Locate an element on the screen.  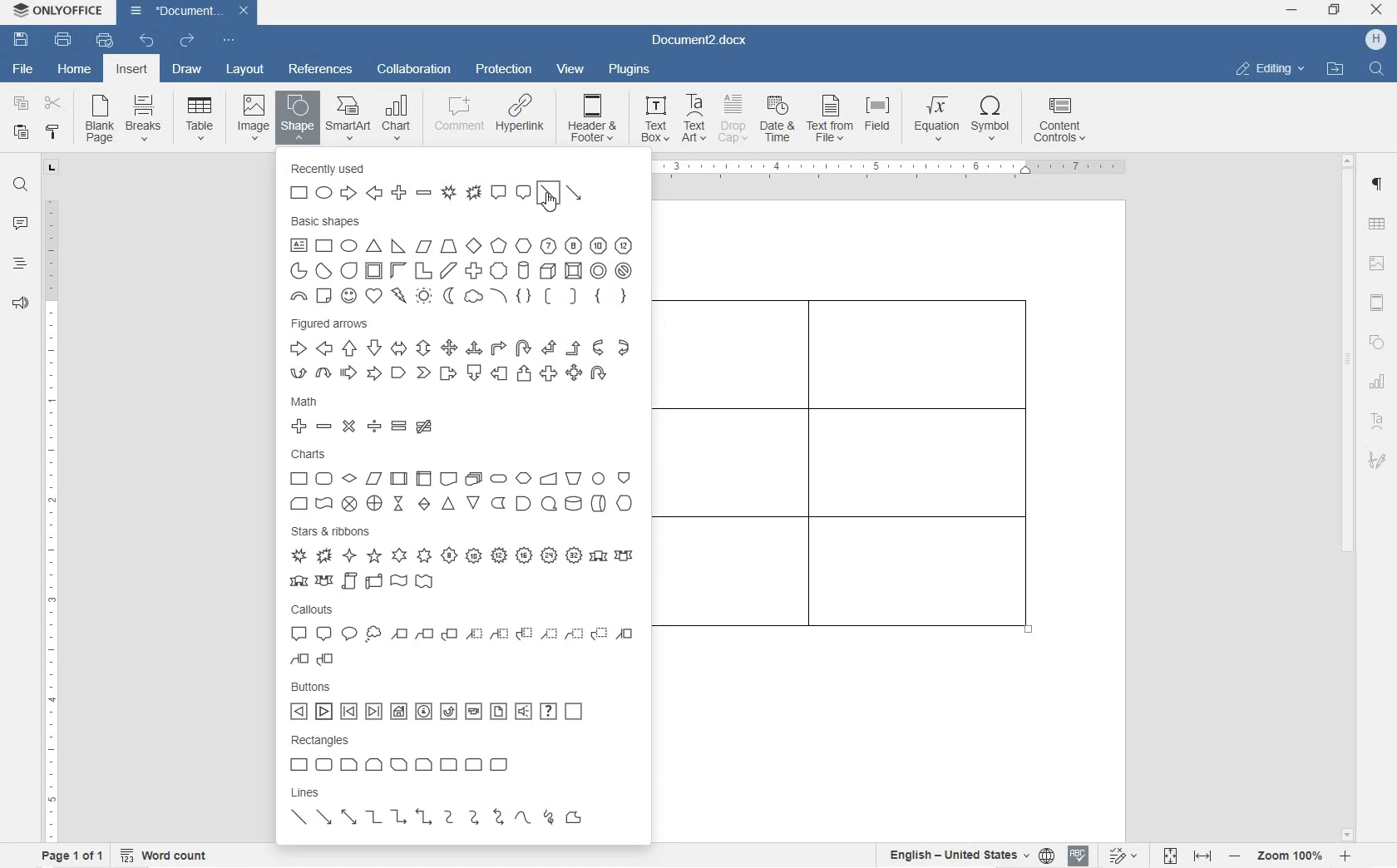
shape is located at coordinates (1377, 342).